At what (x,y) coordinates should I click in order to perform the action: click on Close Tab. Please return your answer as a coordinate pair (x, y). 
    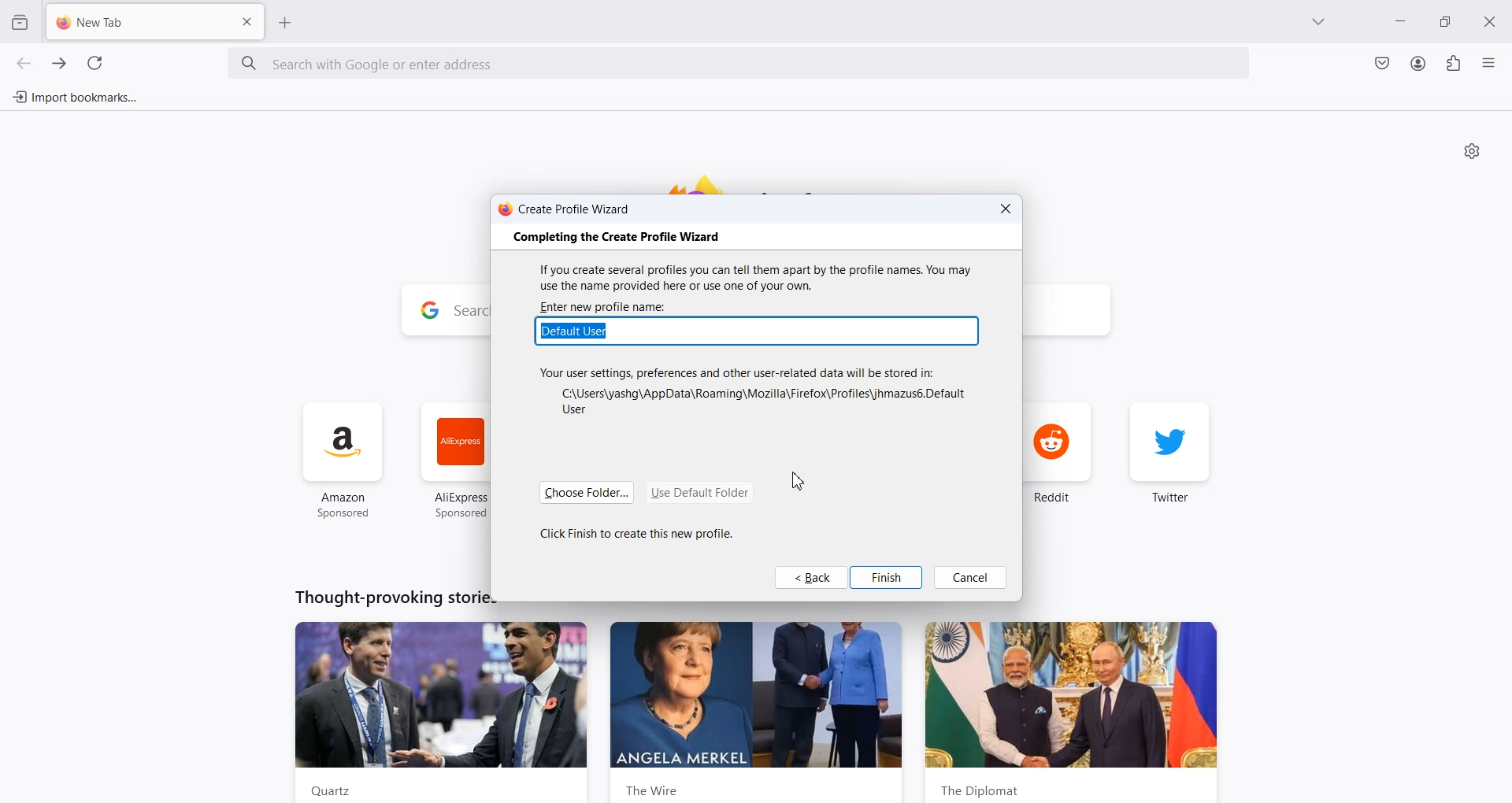
    Looking at the image, I should click on (248, 20).